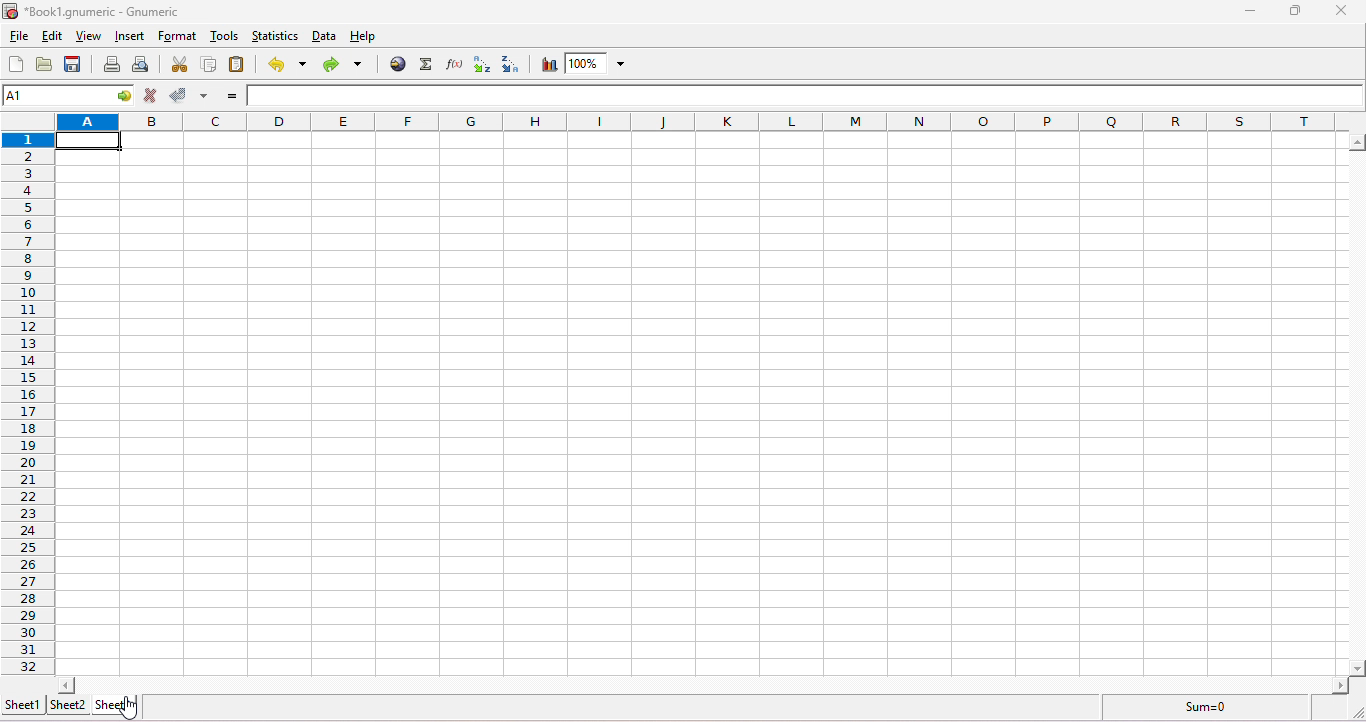  I want to click on column headings, so click(705, 121).